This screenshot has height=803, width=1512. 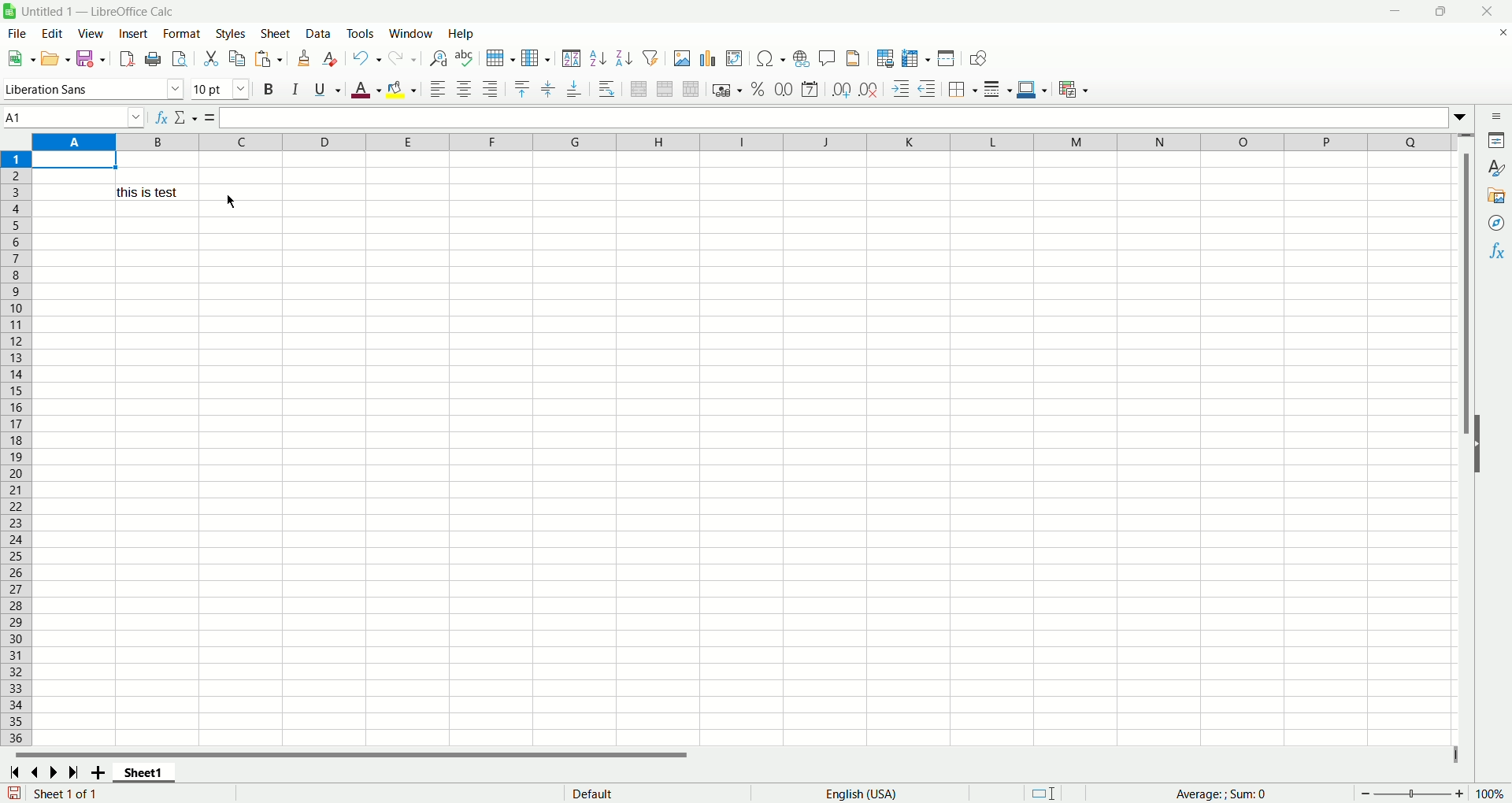 What do you see at coordinates (235, 60) in the screenshot?
I see `copy` at bounding box center [235, 60].